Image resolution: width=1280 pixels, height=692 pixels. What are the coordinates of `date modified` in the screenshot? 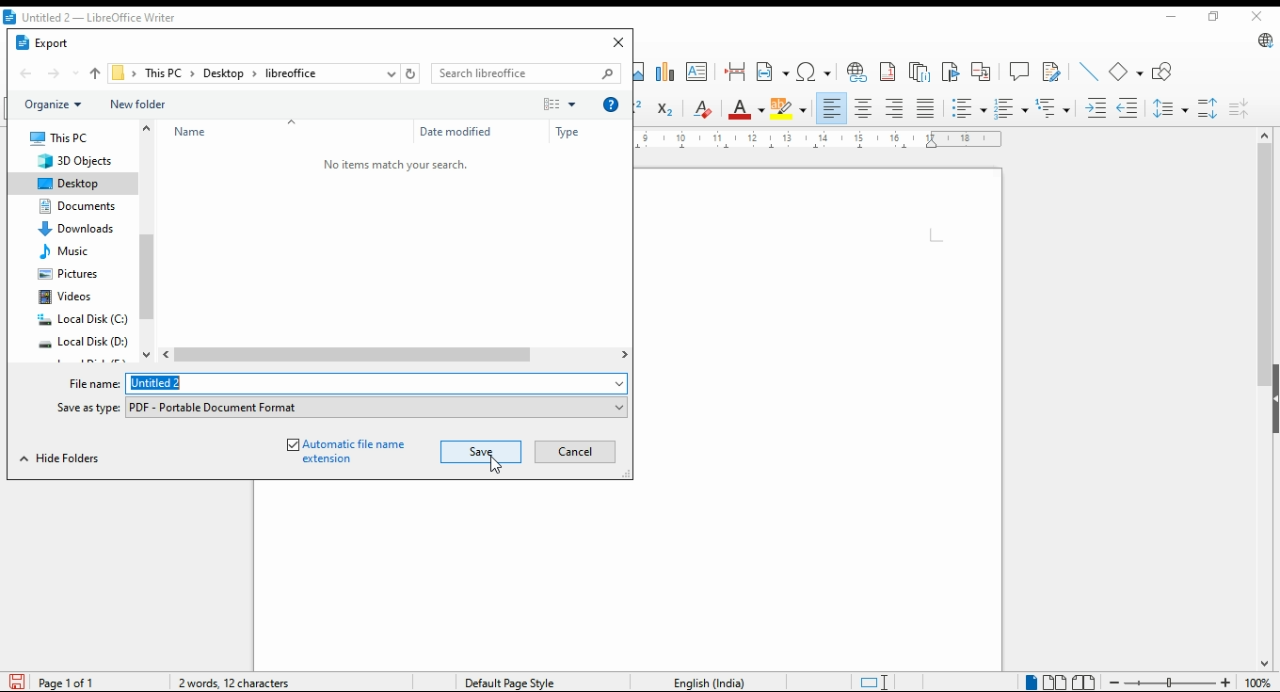 It's located at (455, 131).